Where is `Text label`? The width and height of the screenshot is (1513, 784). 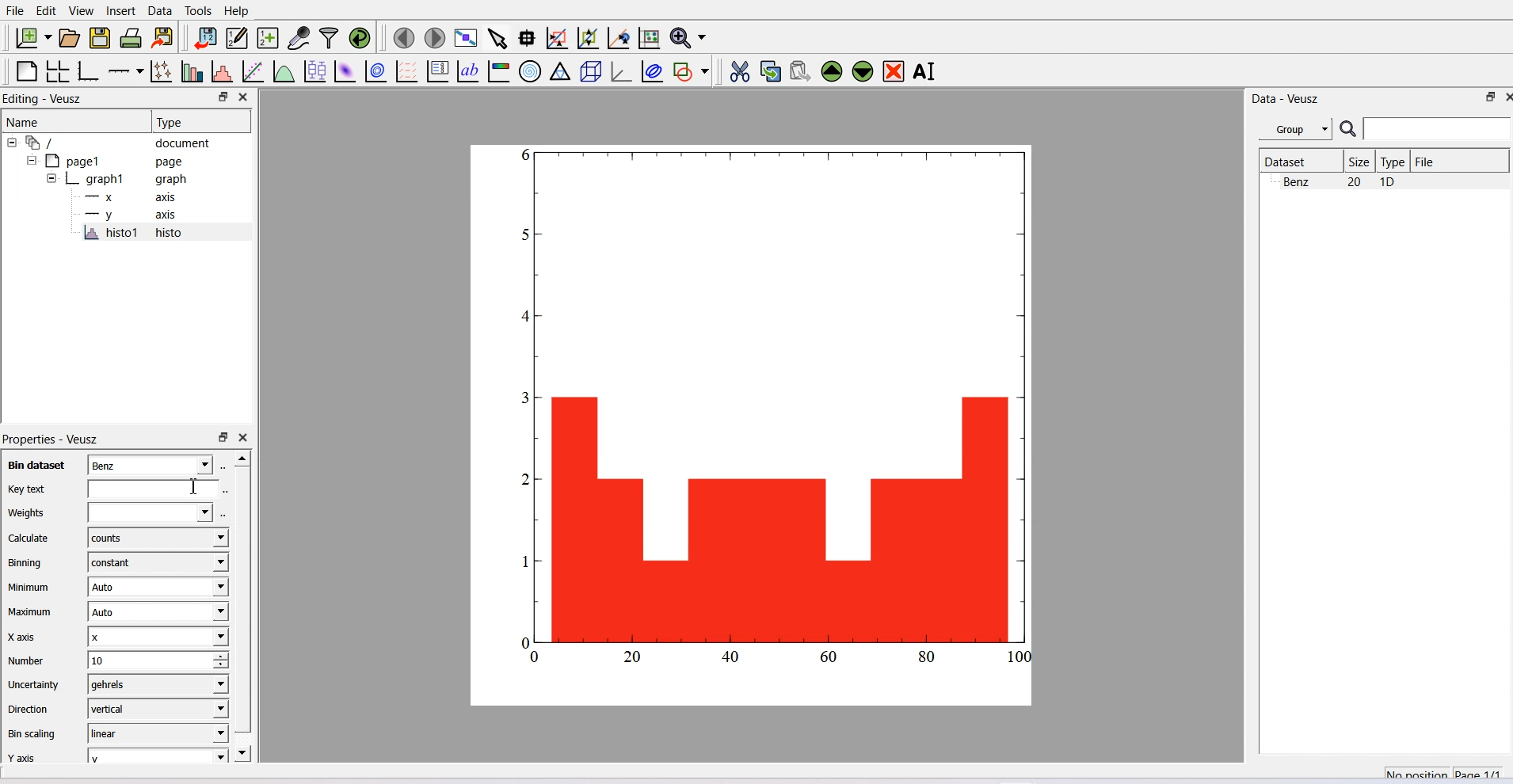 Text label is located at coordinates (467, 71).